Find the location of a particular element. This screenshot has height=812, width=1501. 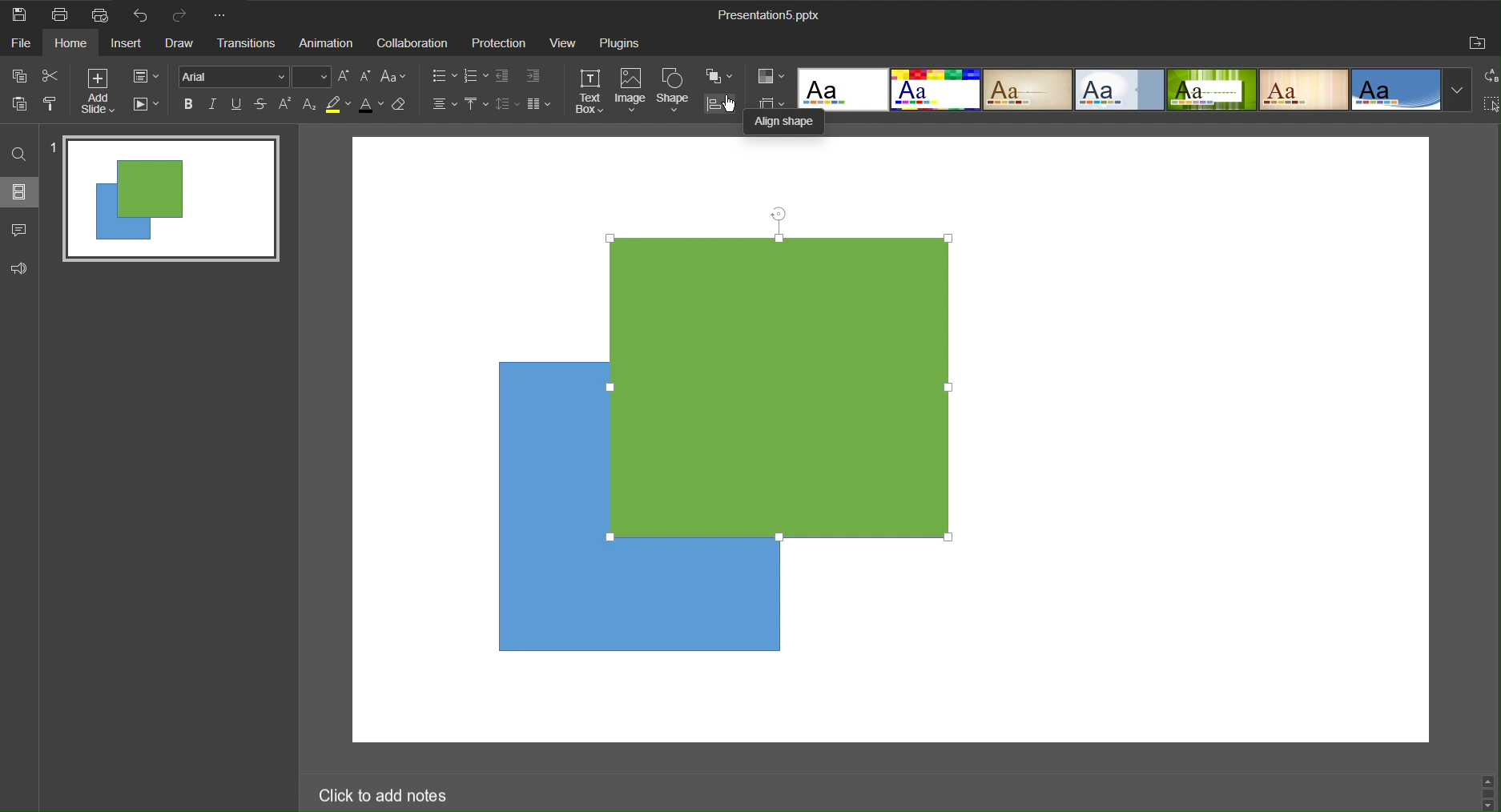

Slides is located at coordinates (22, 193).